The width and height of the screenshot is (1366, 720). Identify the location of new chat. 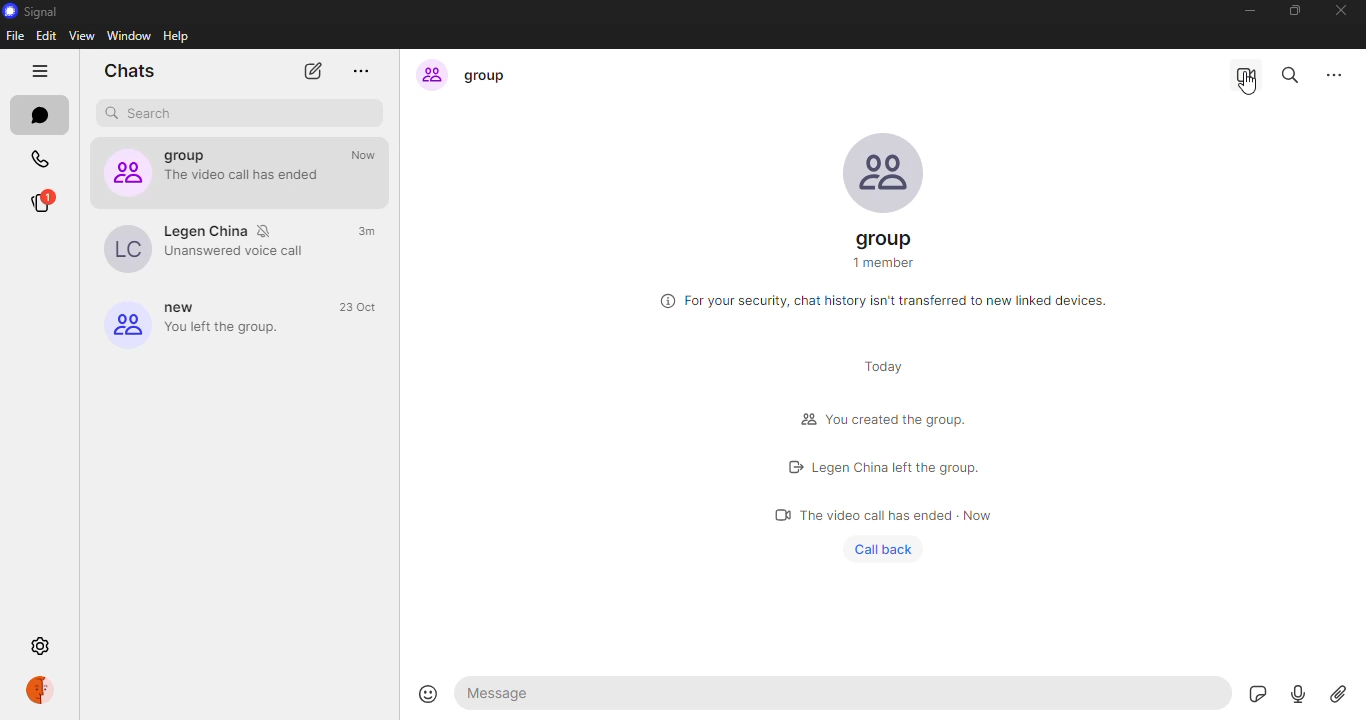
(311, 71).